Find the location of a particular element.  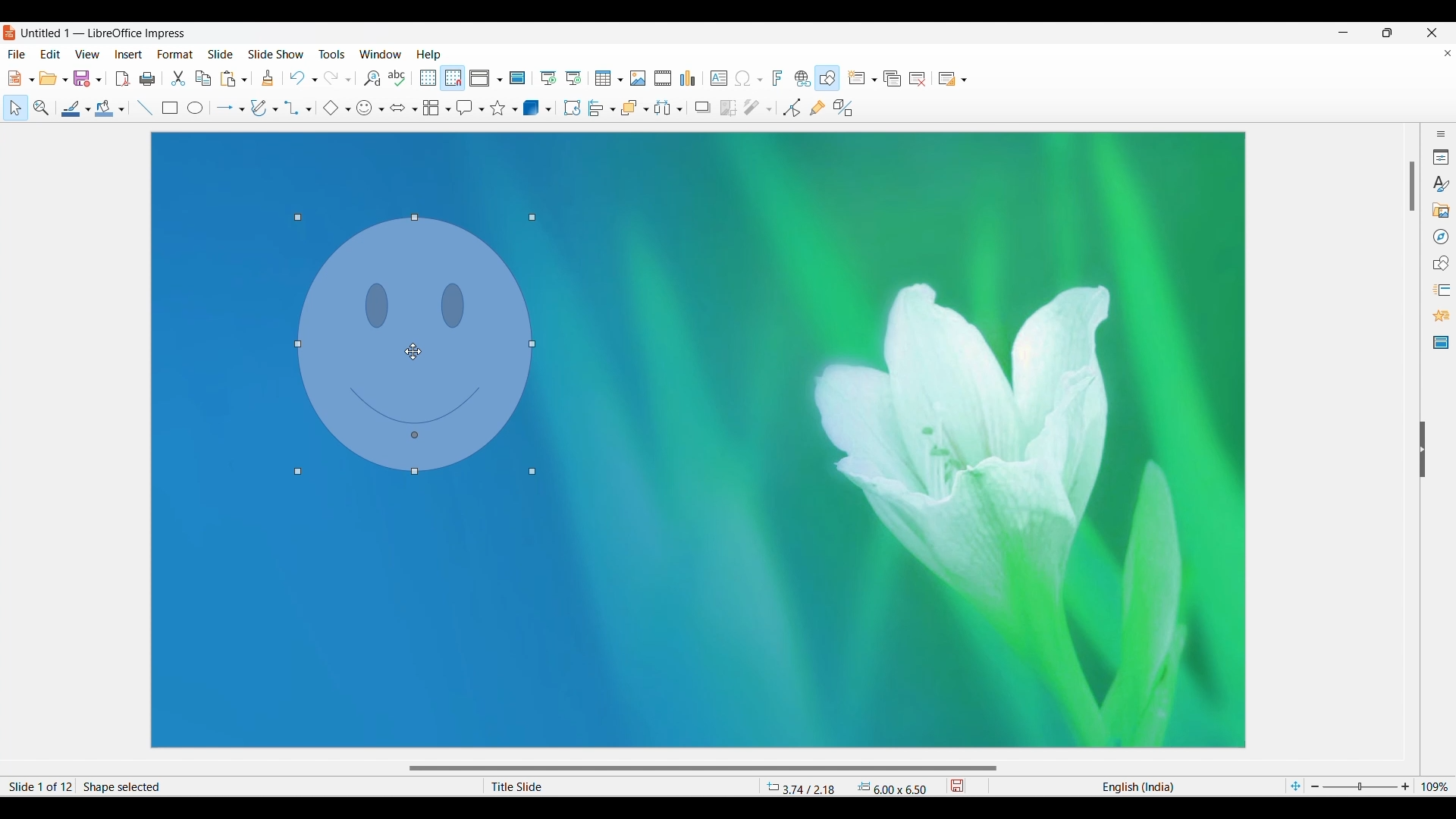

Paste is located at coordinates (228, 80).